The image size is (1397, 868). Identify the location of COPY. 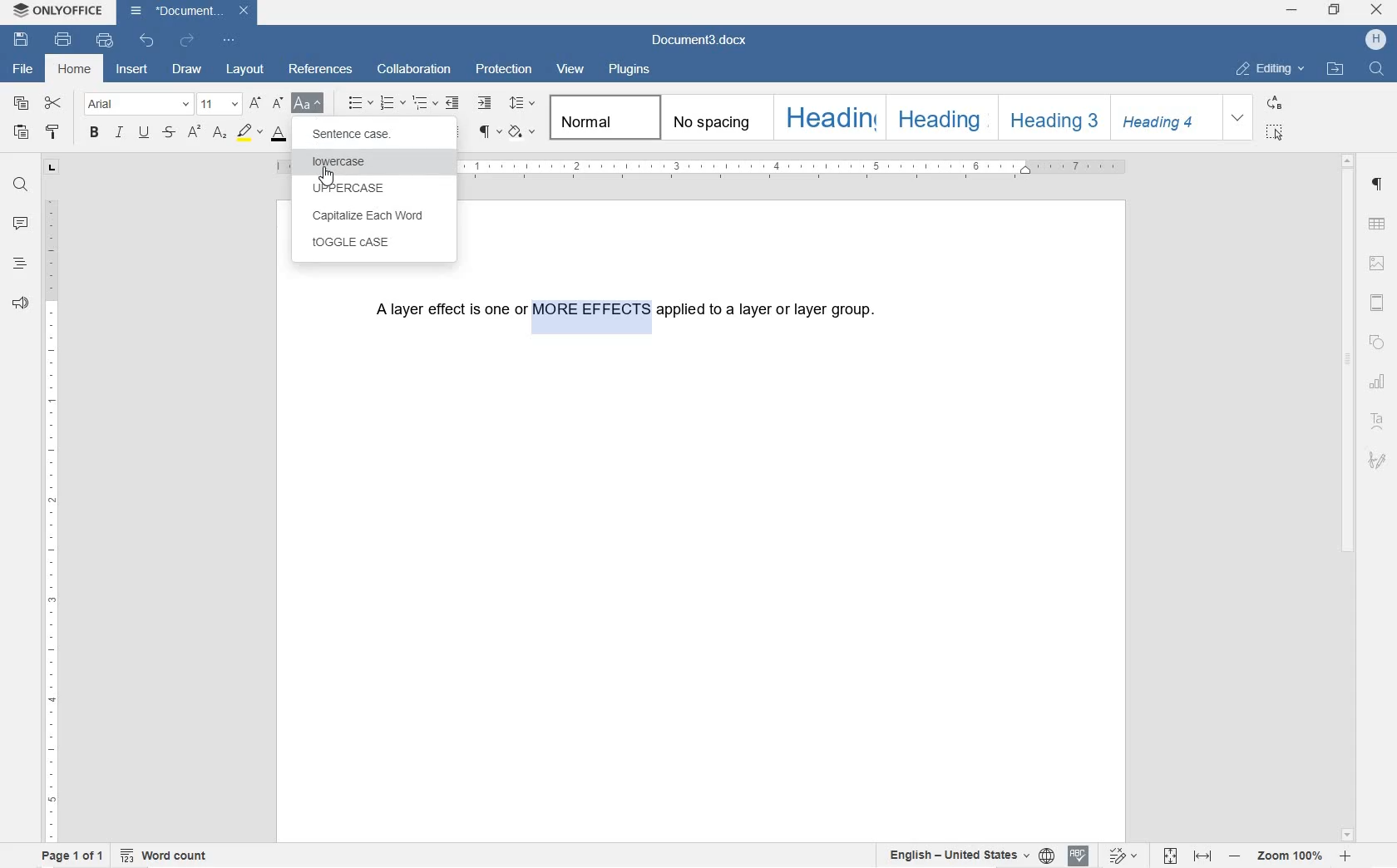
(23, 104).